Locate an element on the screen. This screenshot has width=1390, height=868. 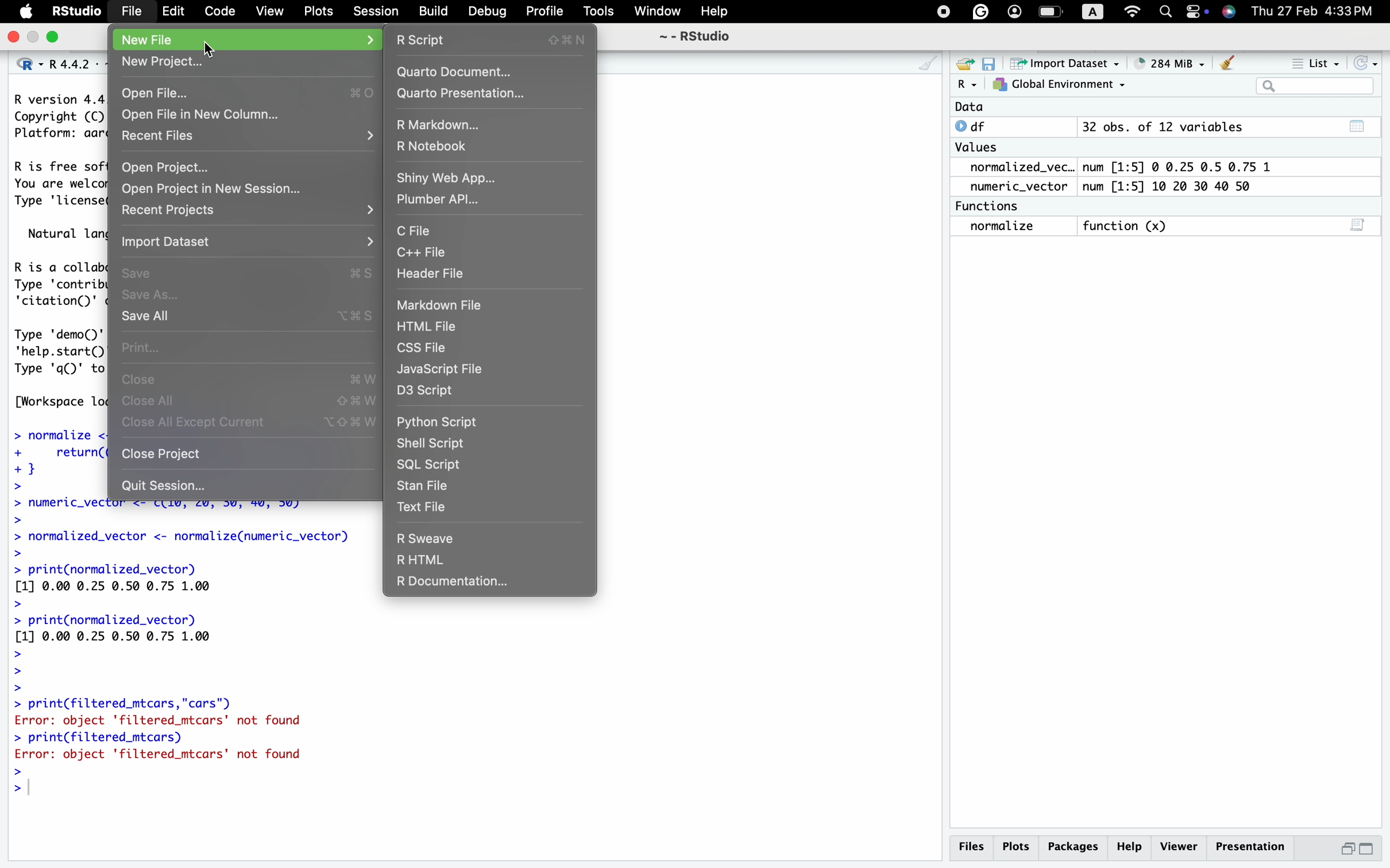
CURSOR is located at coordinates (213, 47).